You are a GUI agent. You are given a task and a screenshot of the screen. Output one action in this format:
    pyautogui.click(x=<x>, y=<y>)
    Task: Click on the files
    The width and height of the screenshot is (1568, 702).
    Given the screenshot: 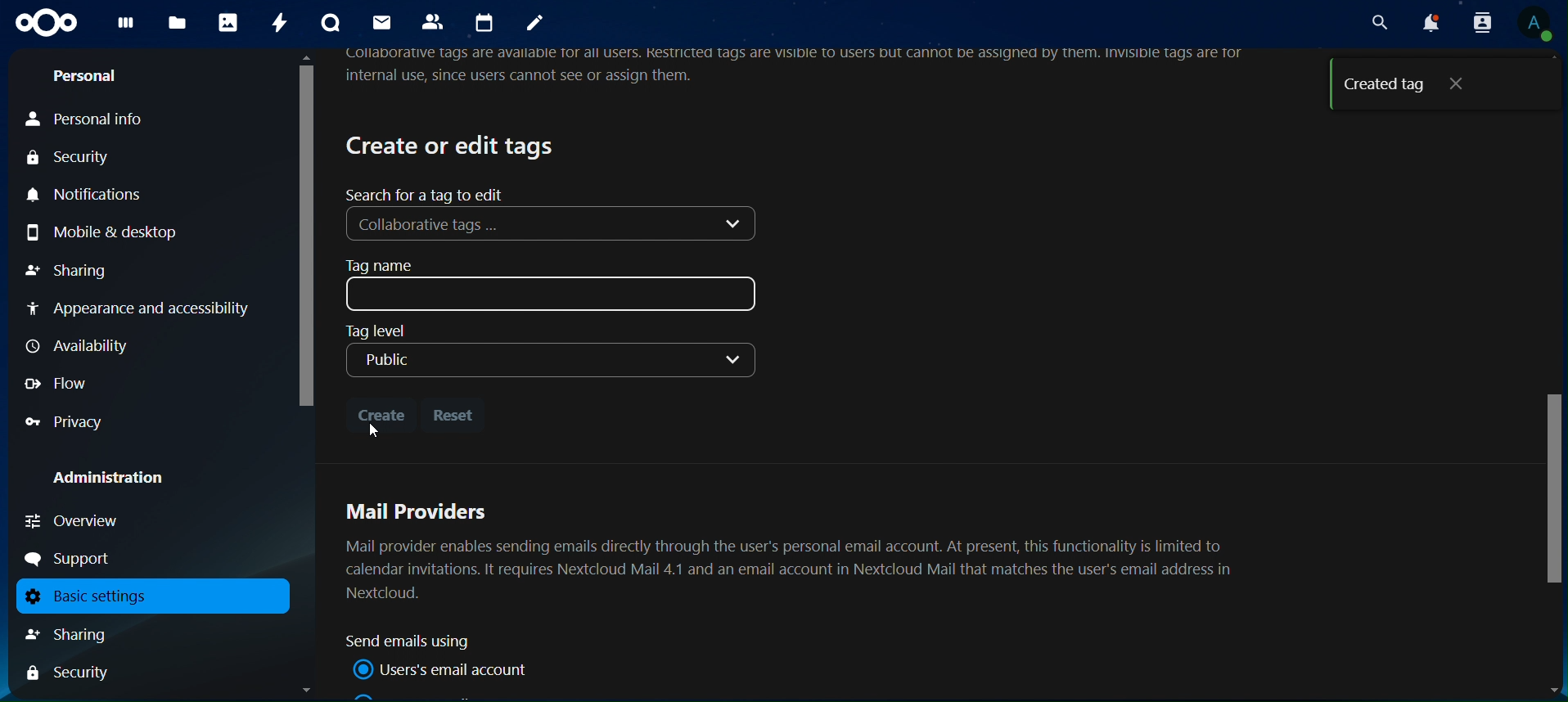 What is the action you would take?
    pyautogui.click(x=177, y=24)
    